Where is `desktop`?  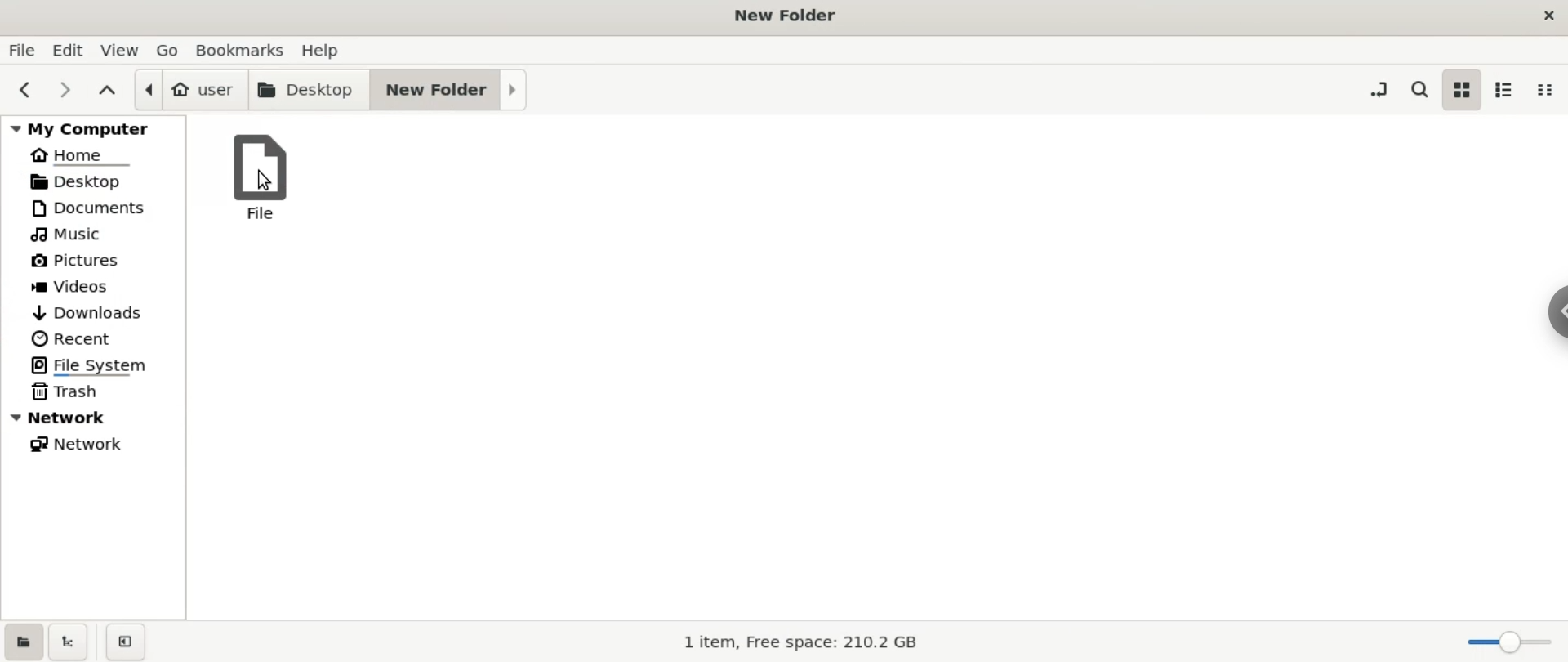 desktop is located at coordinates (91, 182).